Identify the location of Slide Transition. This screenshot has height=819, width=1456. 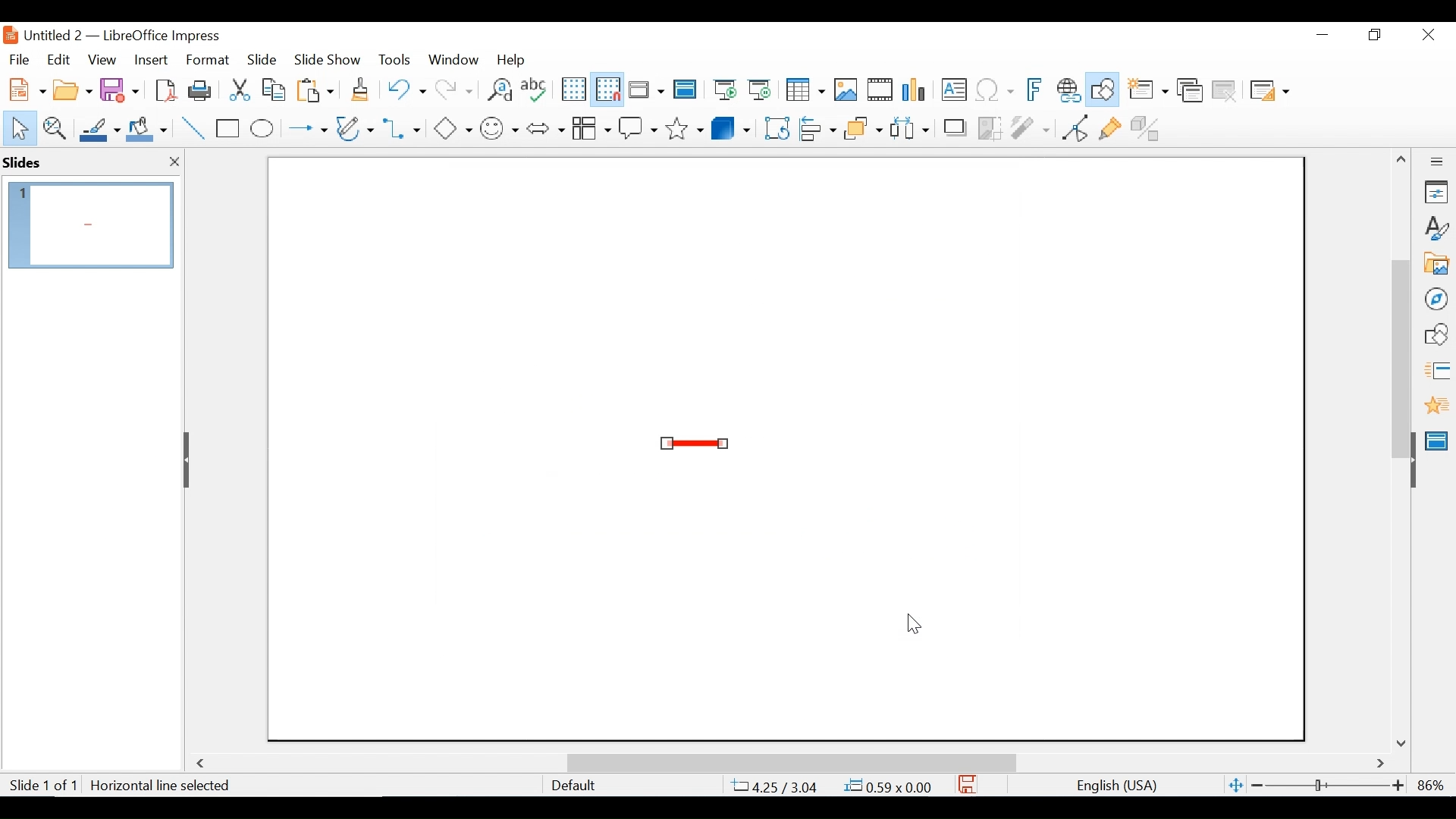
(1436, 372).